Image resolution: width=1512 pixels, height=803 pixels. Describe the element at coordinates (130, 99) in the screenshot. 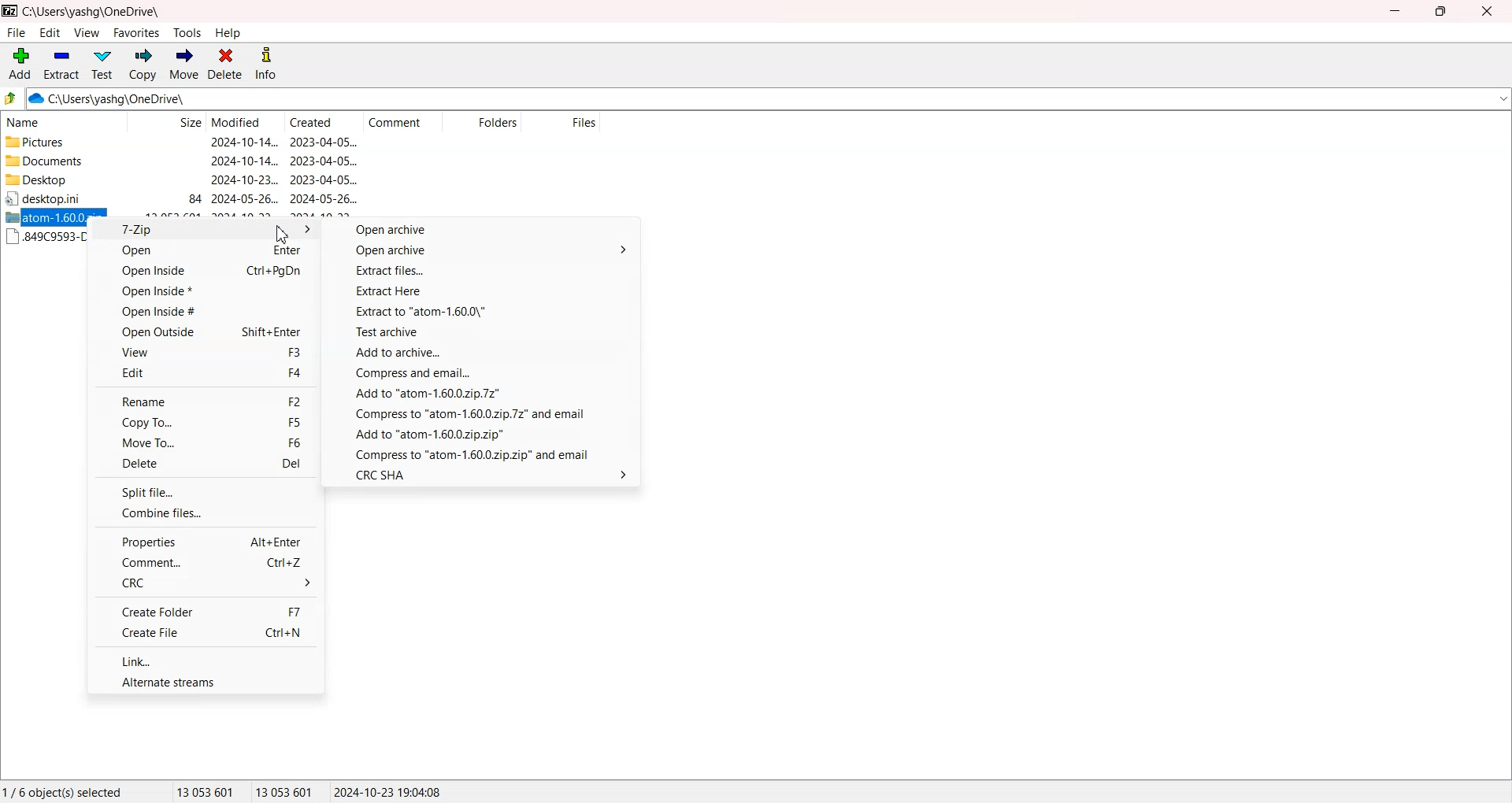

I see `C:\Users\yashg\OneDrive\` at that location.